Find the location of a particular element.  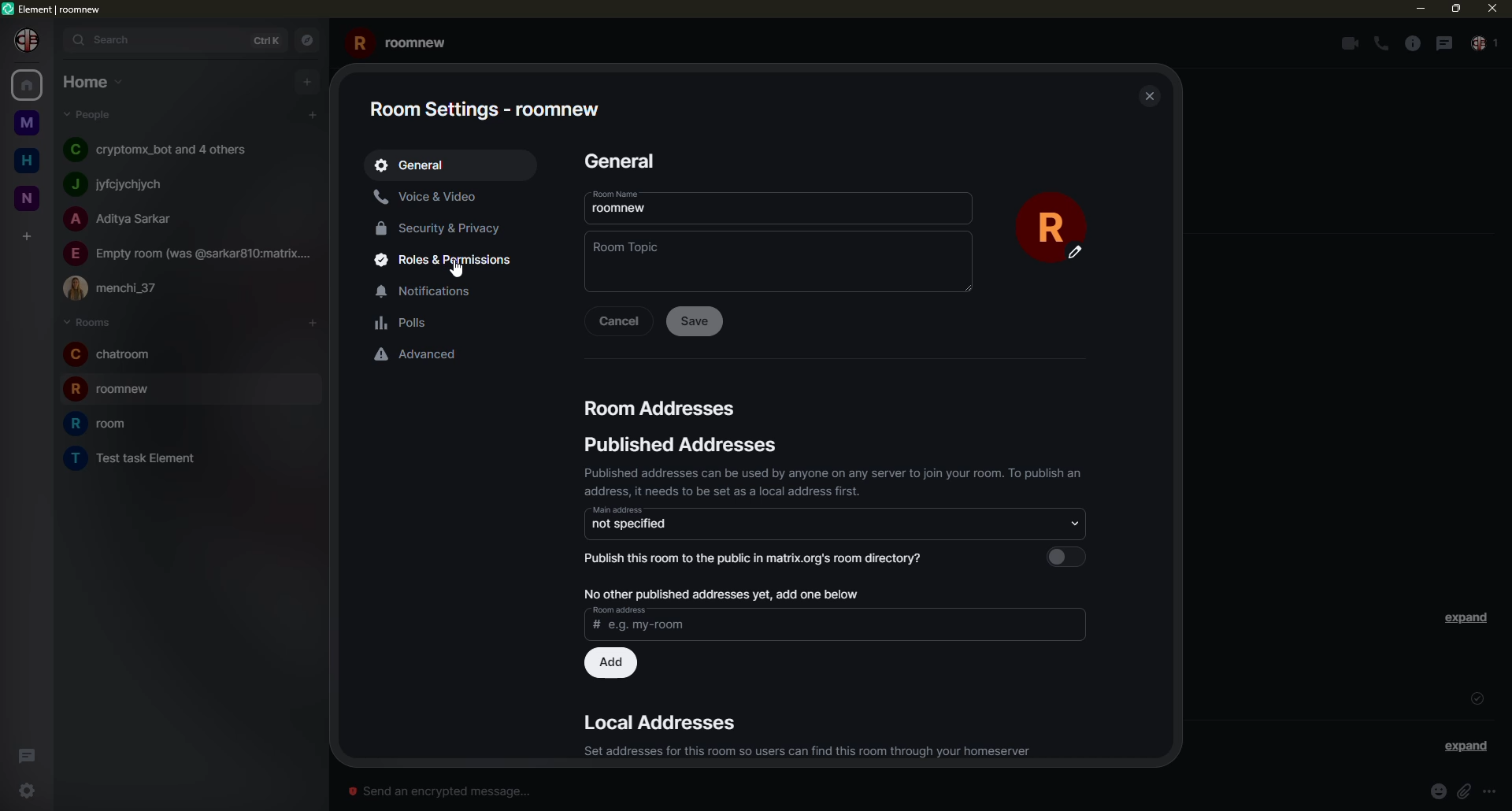

threads is located at coordinates (28, 753).